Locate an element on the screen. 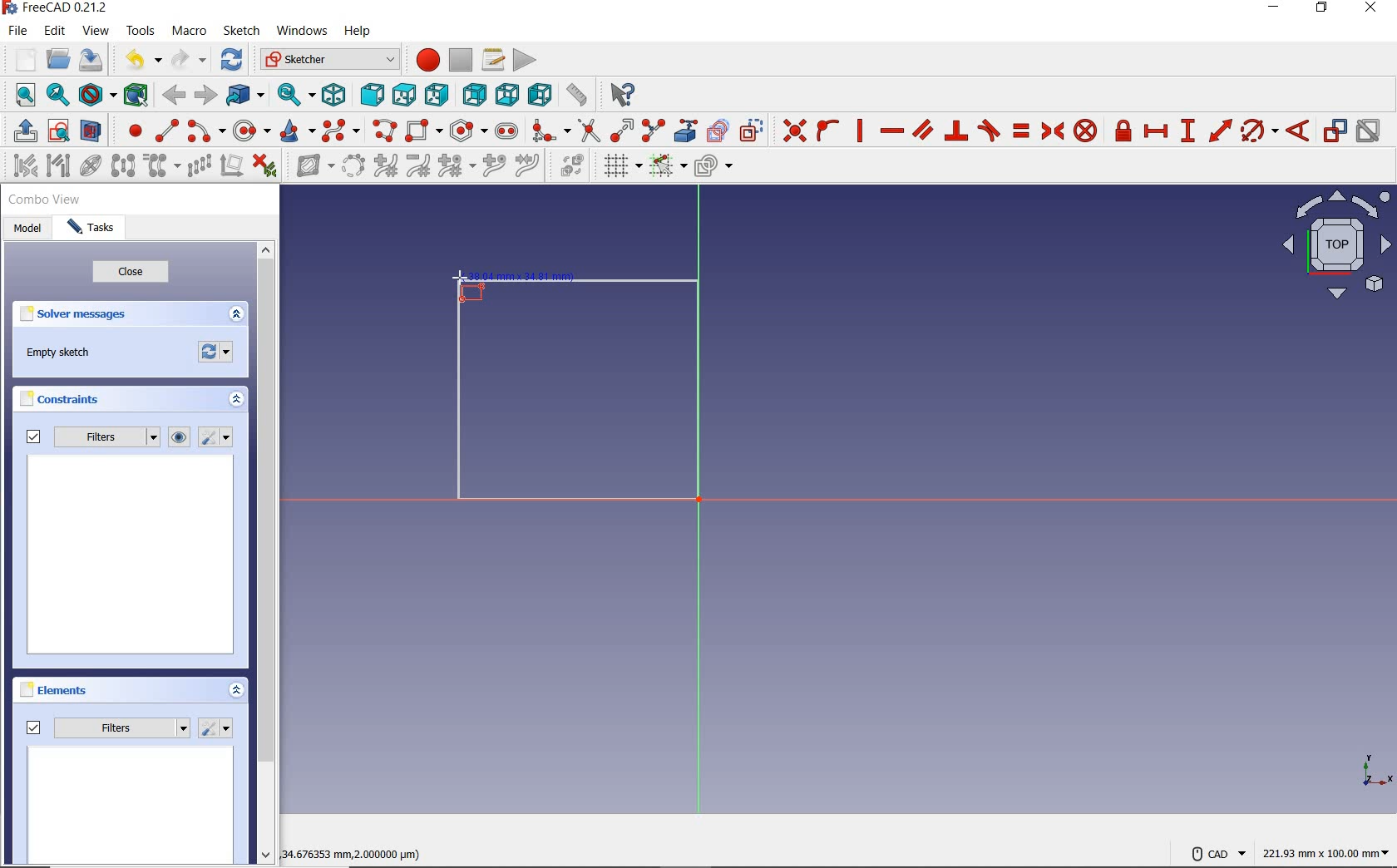 The image size is (1397, 868). decrease b-spline degree is located at coordinates (420, 167).